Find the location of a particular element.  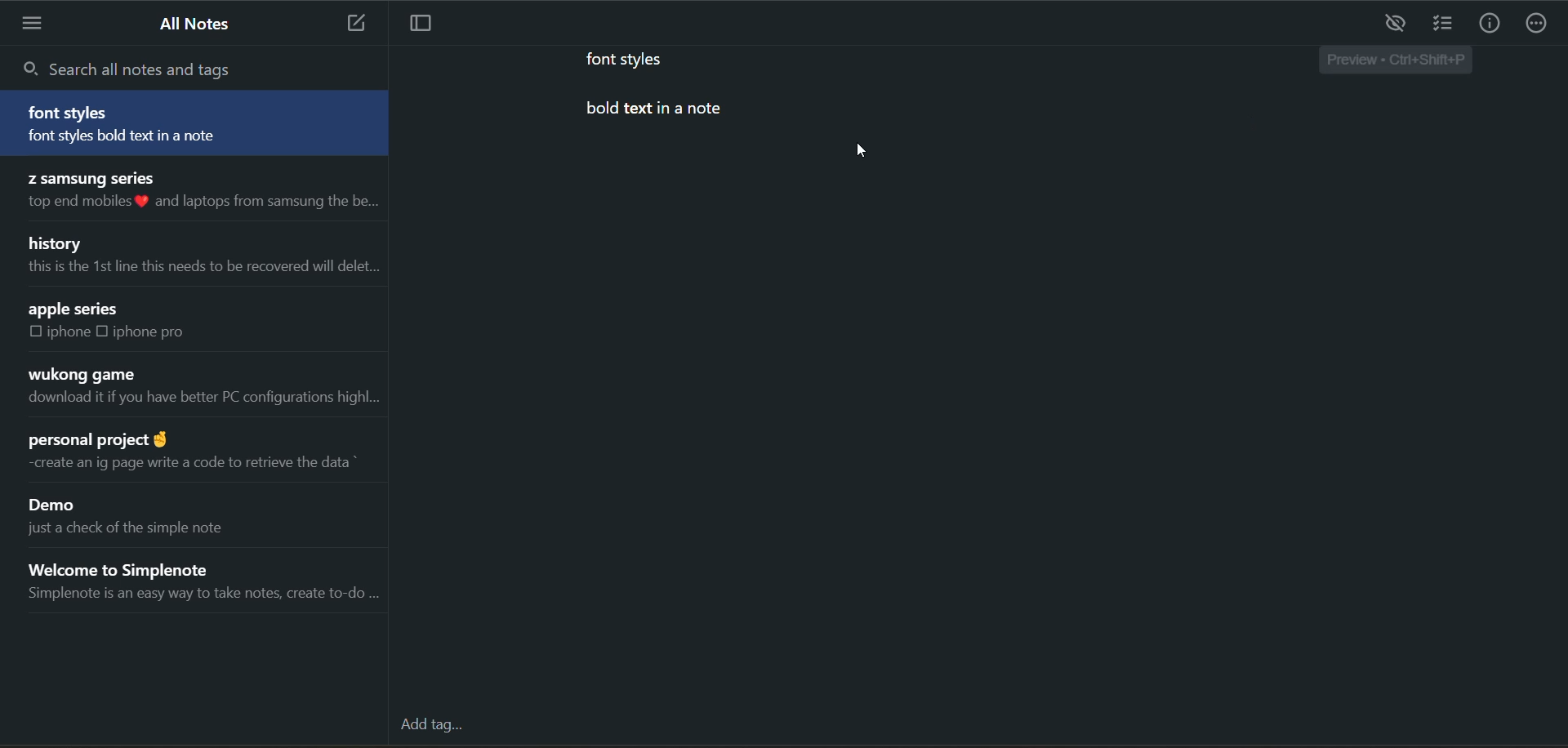

Welcome to Simplenote is located at coordinates (143, 566).